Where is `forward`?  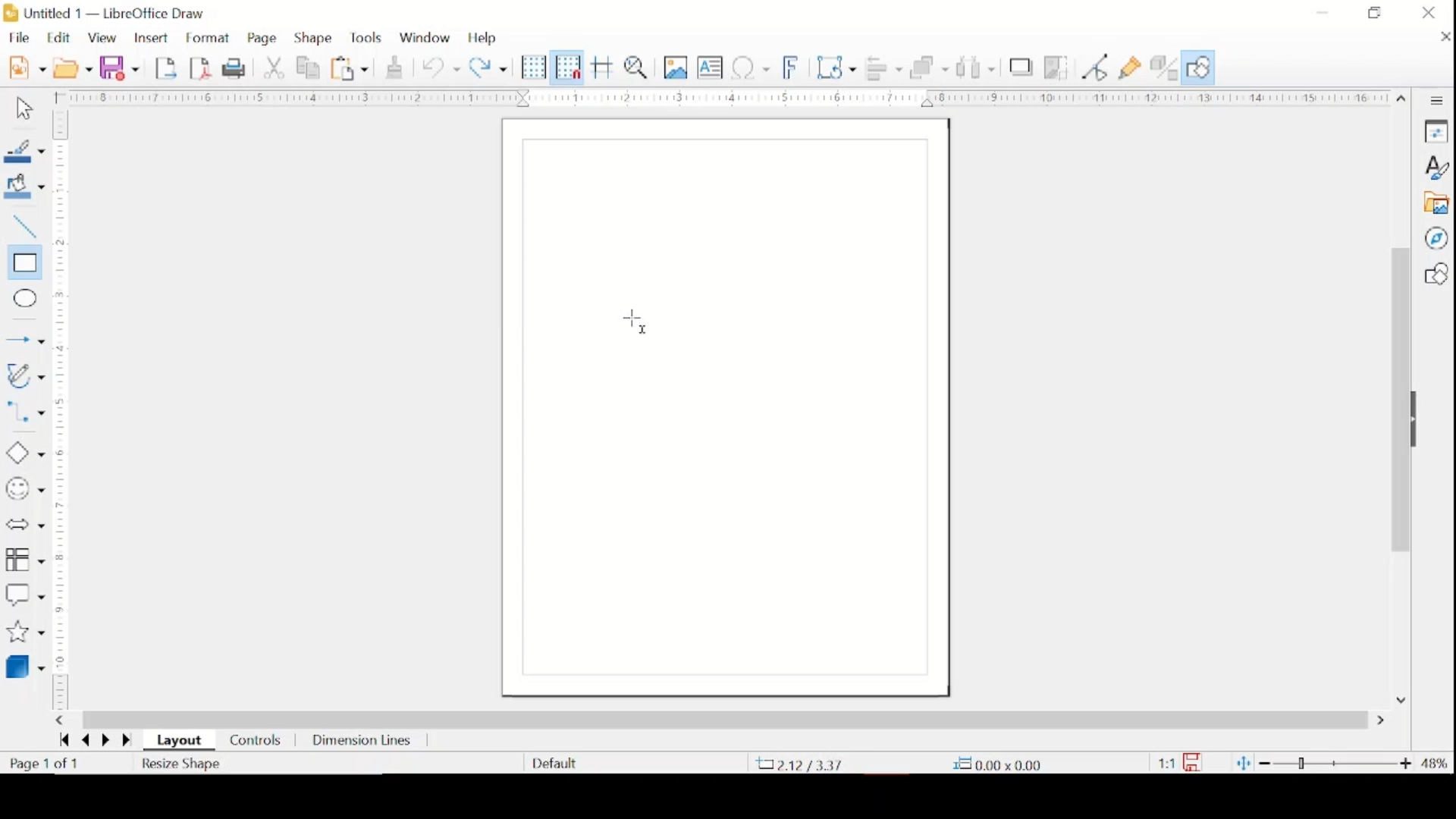 forward is located at coordinates (129, 742).